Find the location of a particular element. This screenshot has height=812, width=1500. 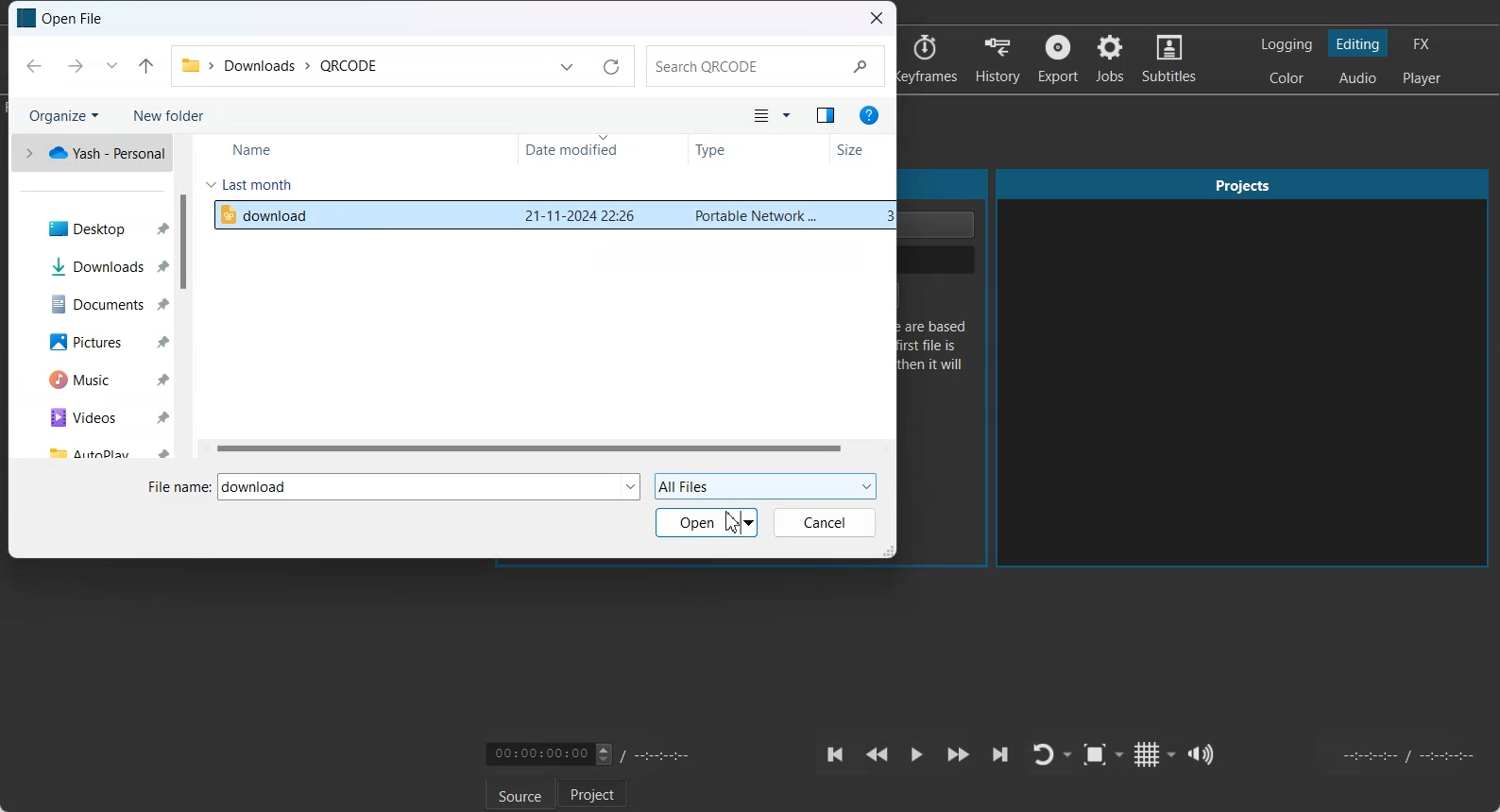

date modified is located at coordinates (581, 215).